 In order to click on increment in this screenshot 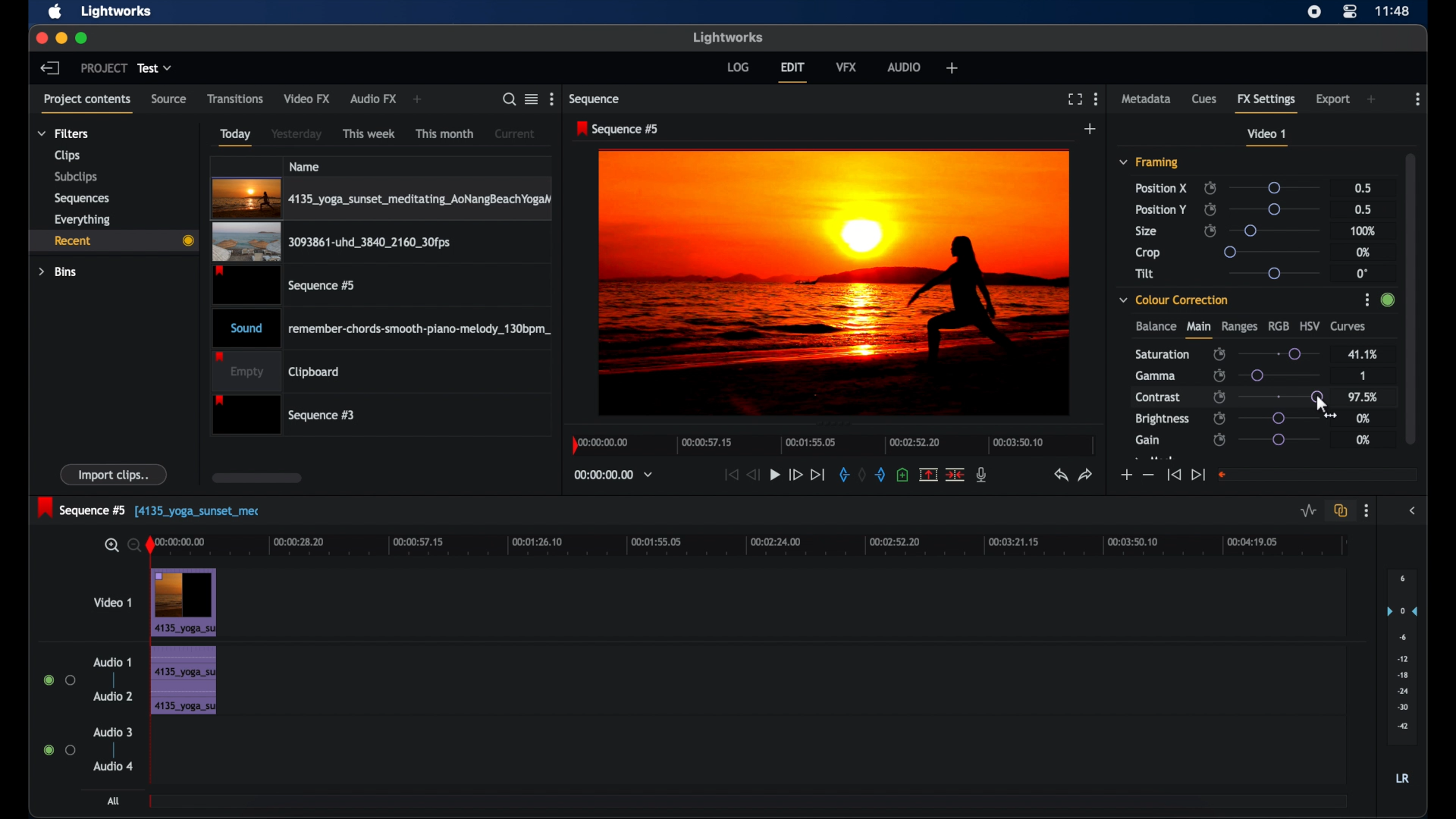, I will do `click(1125, 475)`.